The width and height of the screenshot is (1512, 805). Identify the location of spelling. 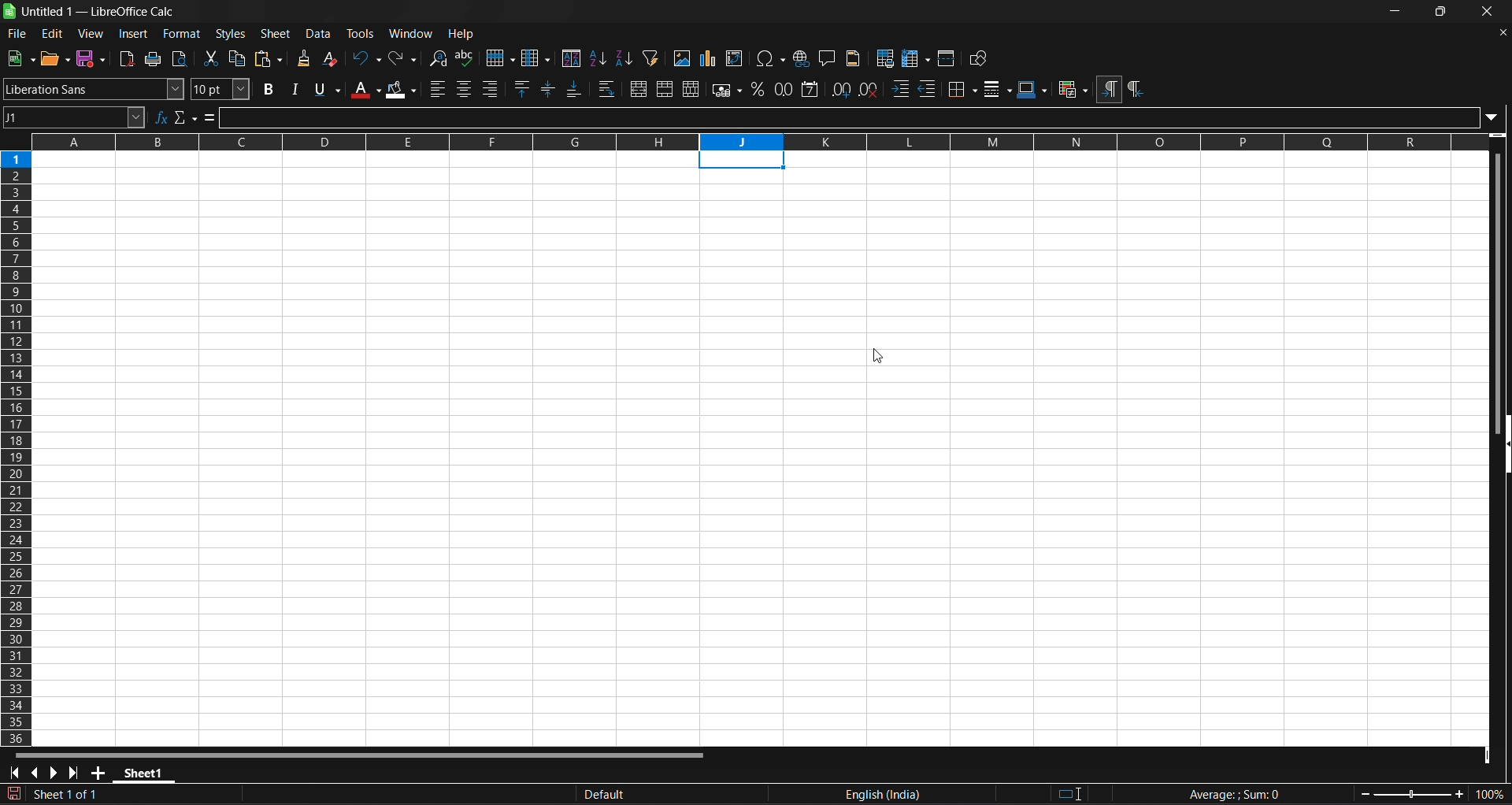
(468, 57).